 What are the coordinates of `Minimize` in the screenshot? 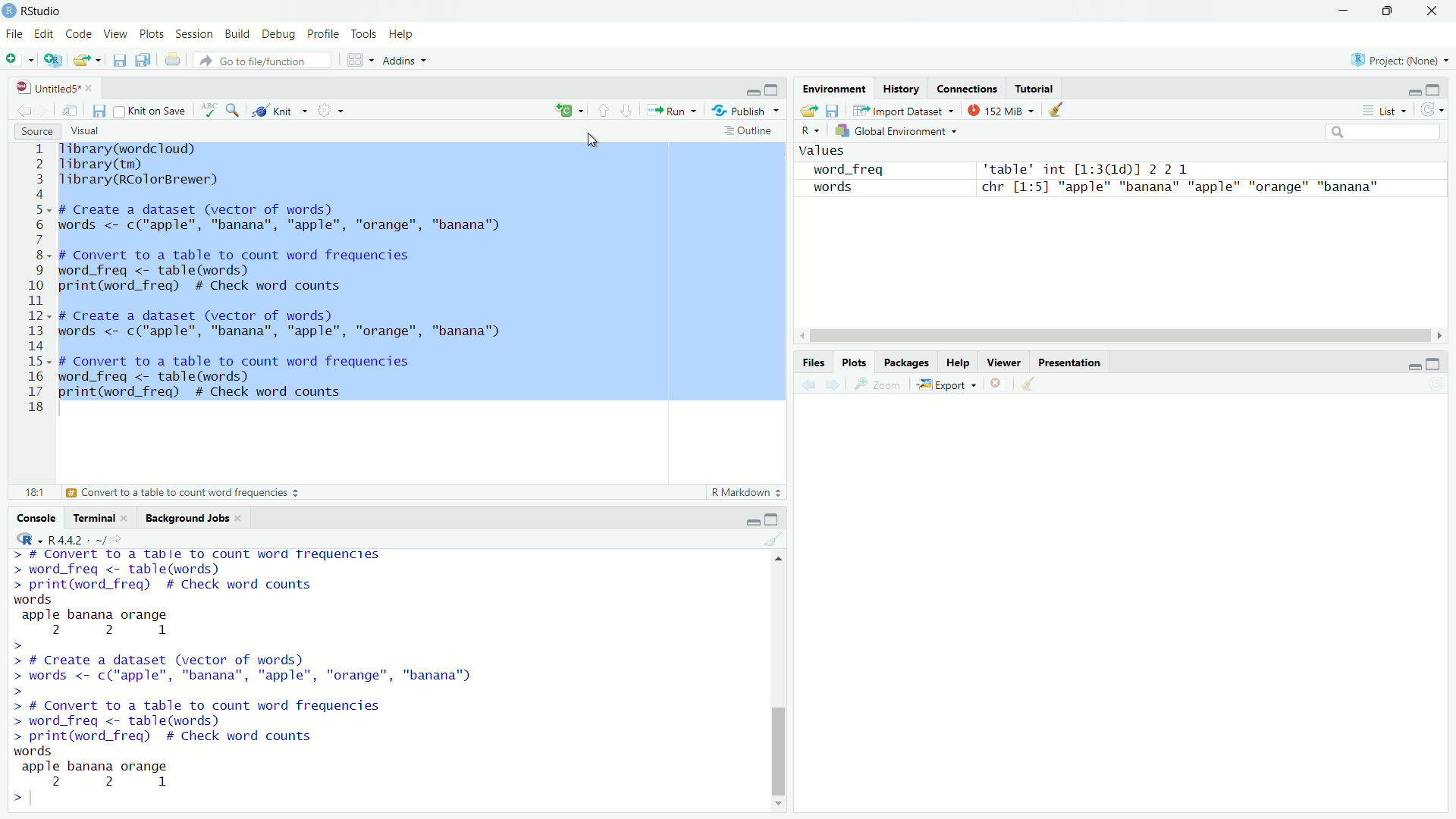 It's located at (1339, 11).